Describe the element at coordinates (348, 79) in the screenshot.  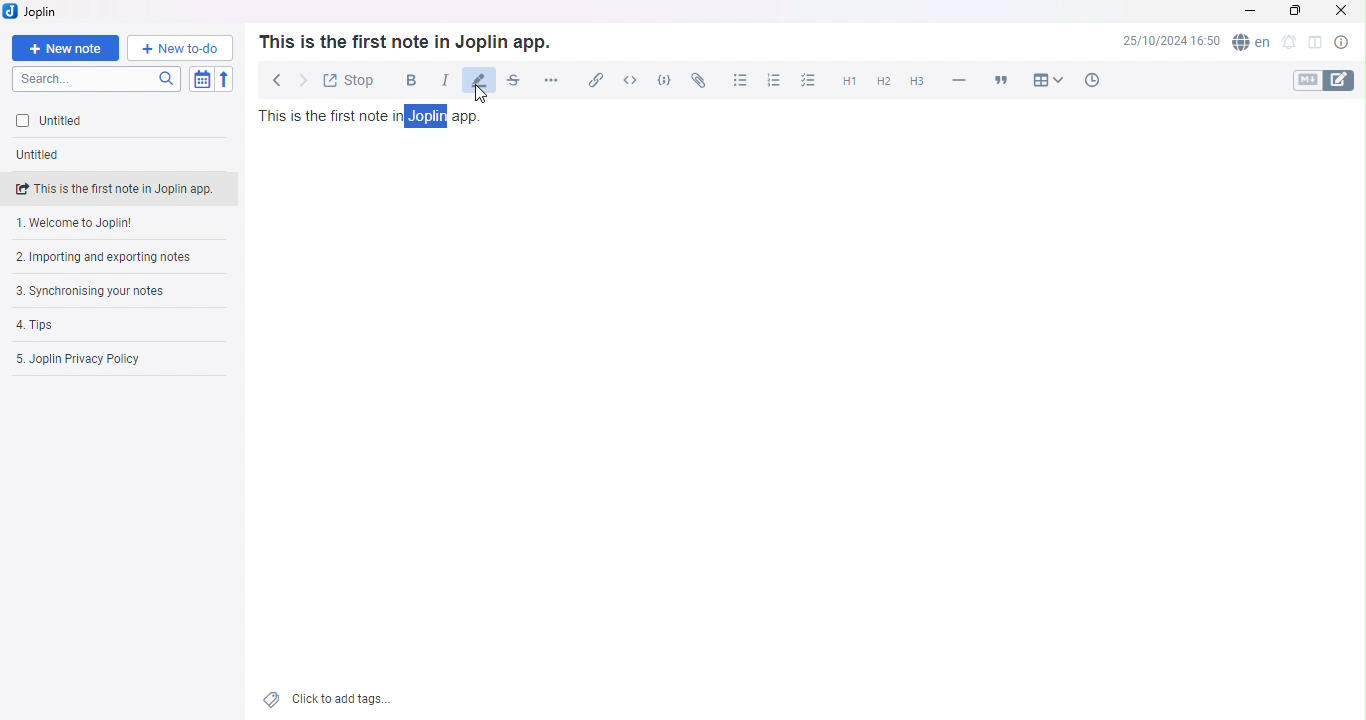
I see `Toggle external editing` at that location.